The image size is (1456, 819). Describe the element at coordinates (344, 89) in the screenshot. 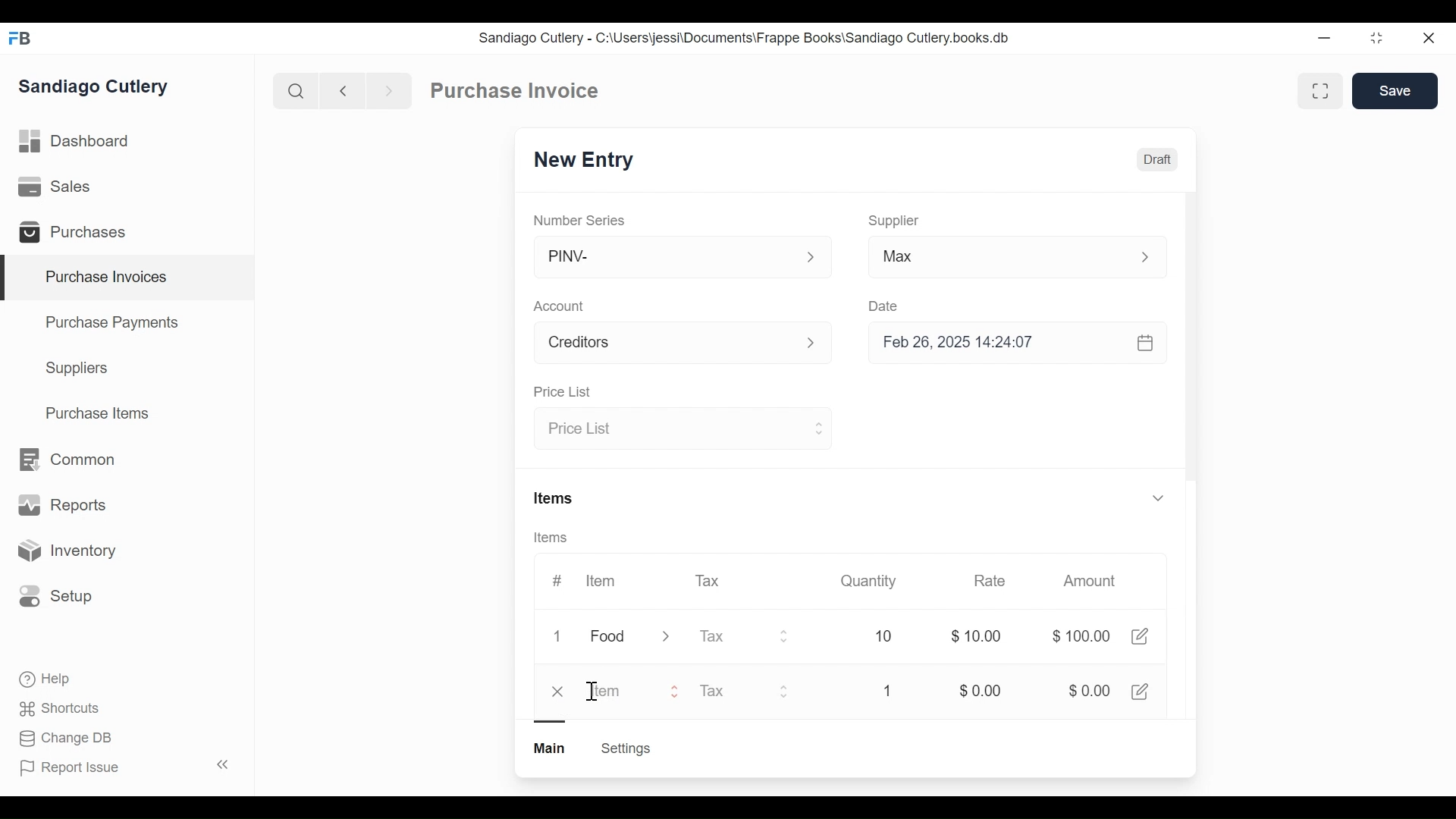

I see `Naviagate back` at that location.